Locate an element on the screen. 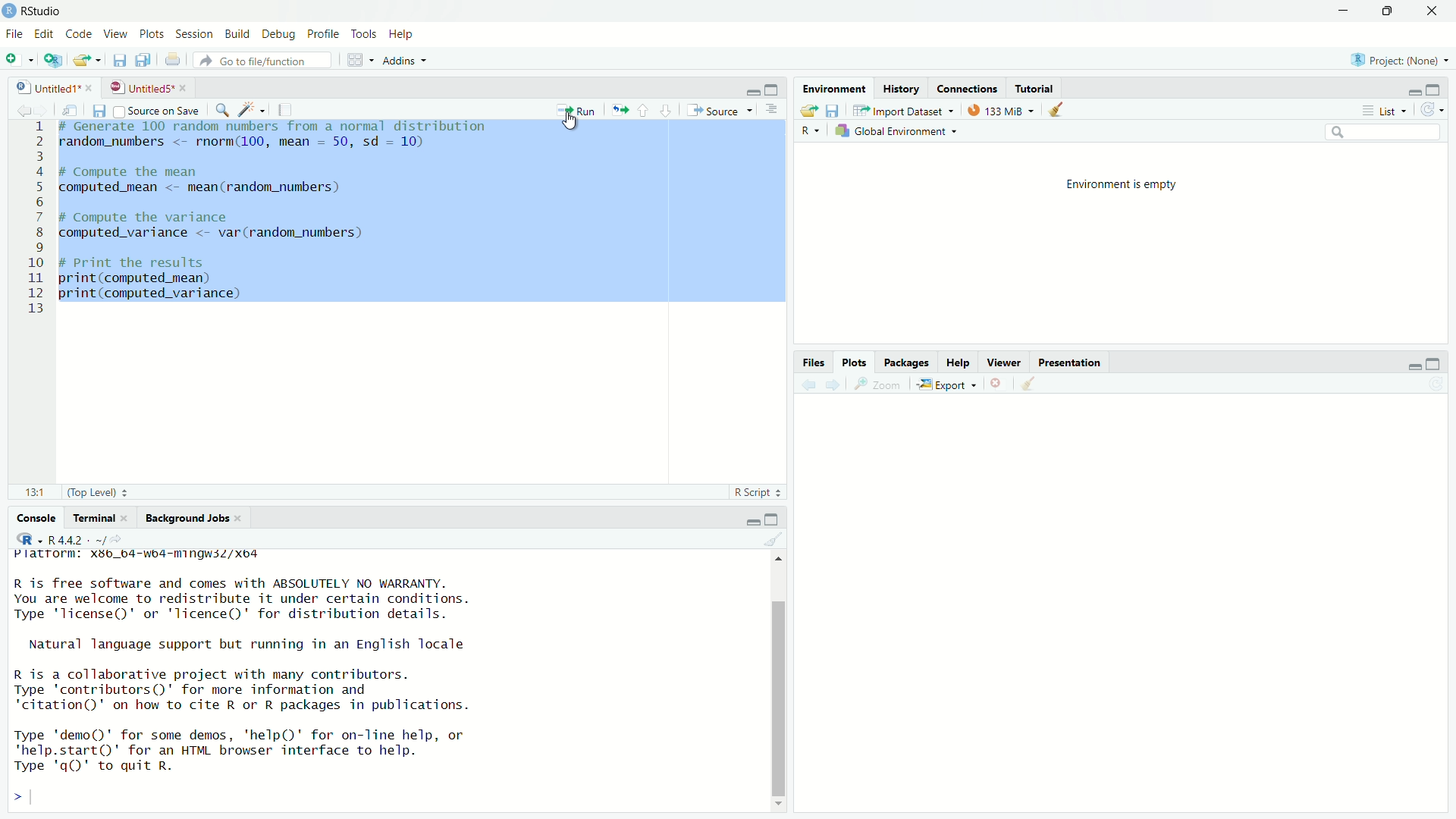 Image resolution: width=1456 pixels, height=819 pixels. cursor is located at coordinates (572, 121).